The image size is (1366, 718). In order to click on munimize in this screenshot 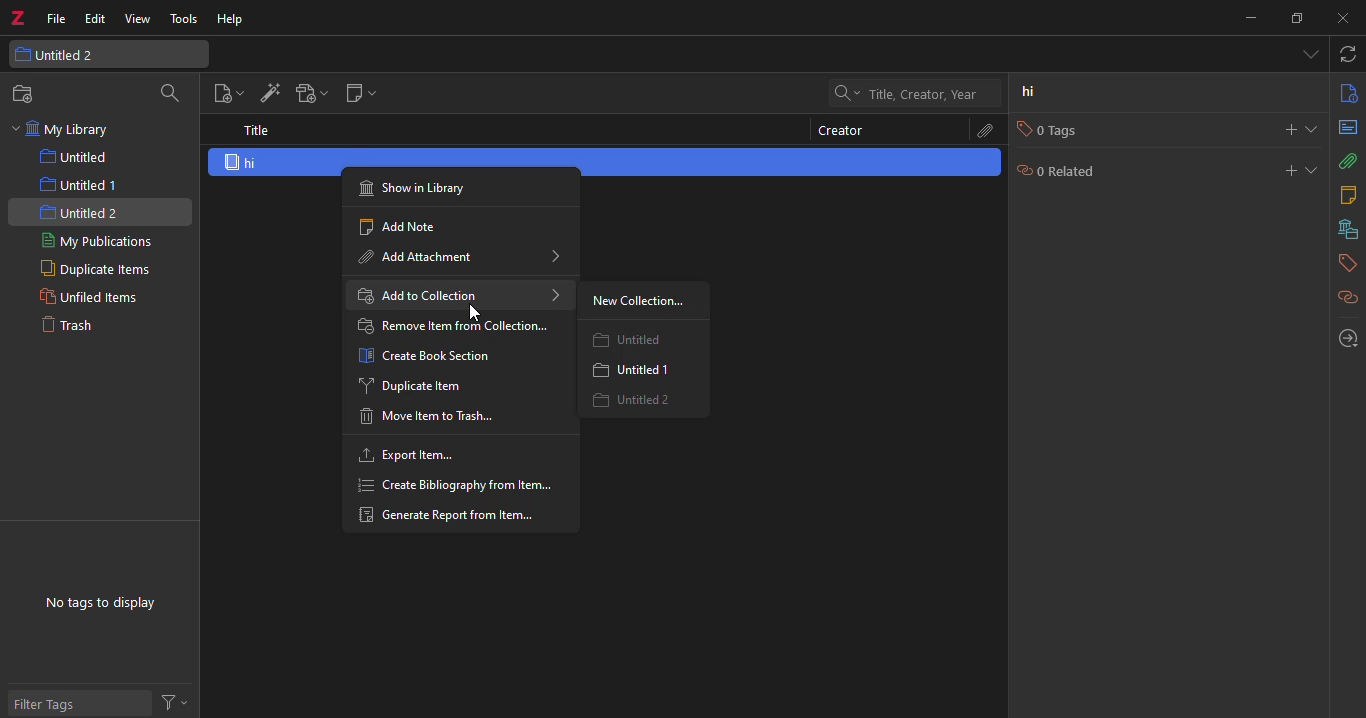, I will do `click(1249, 17)`.